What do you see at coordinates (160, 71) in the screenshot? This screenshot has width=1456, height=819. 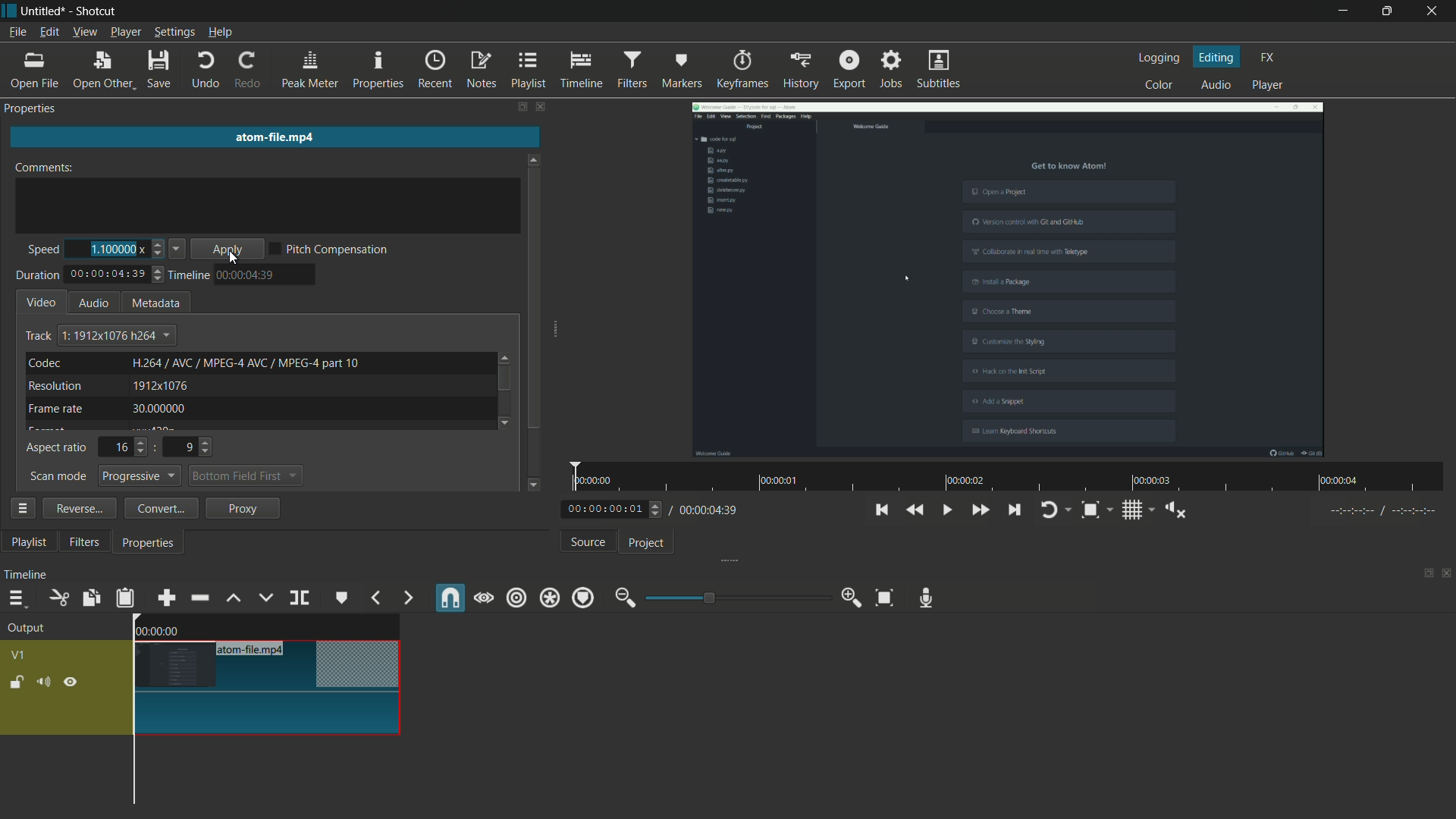 I see `save` at bounding box center [160, 71].